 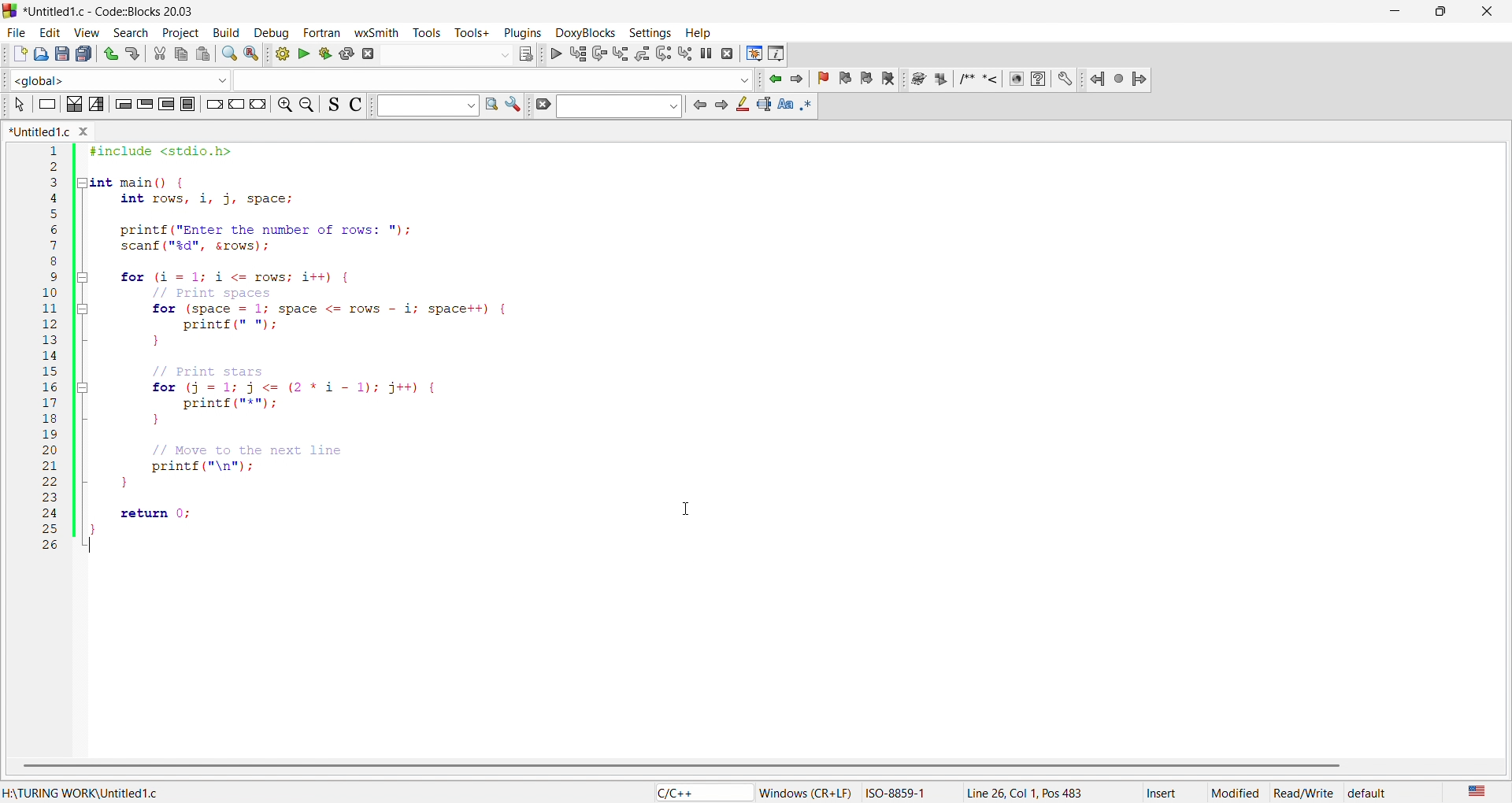 What do you see at coordinates (306, 107) in the screenshot?
I see `zoom out` at bounding box center [306, 107].